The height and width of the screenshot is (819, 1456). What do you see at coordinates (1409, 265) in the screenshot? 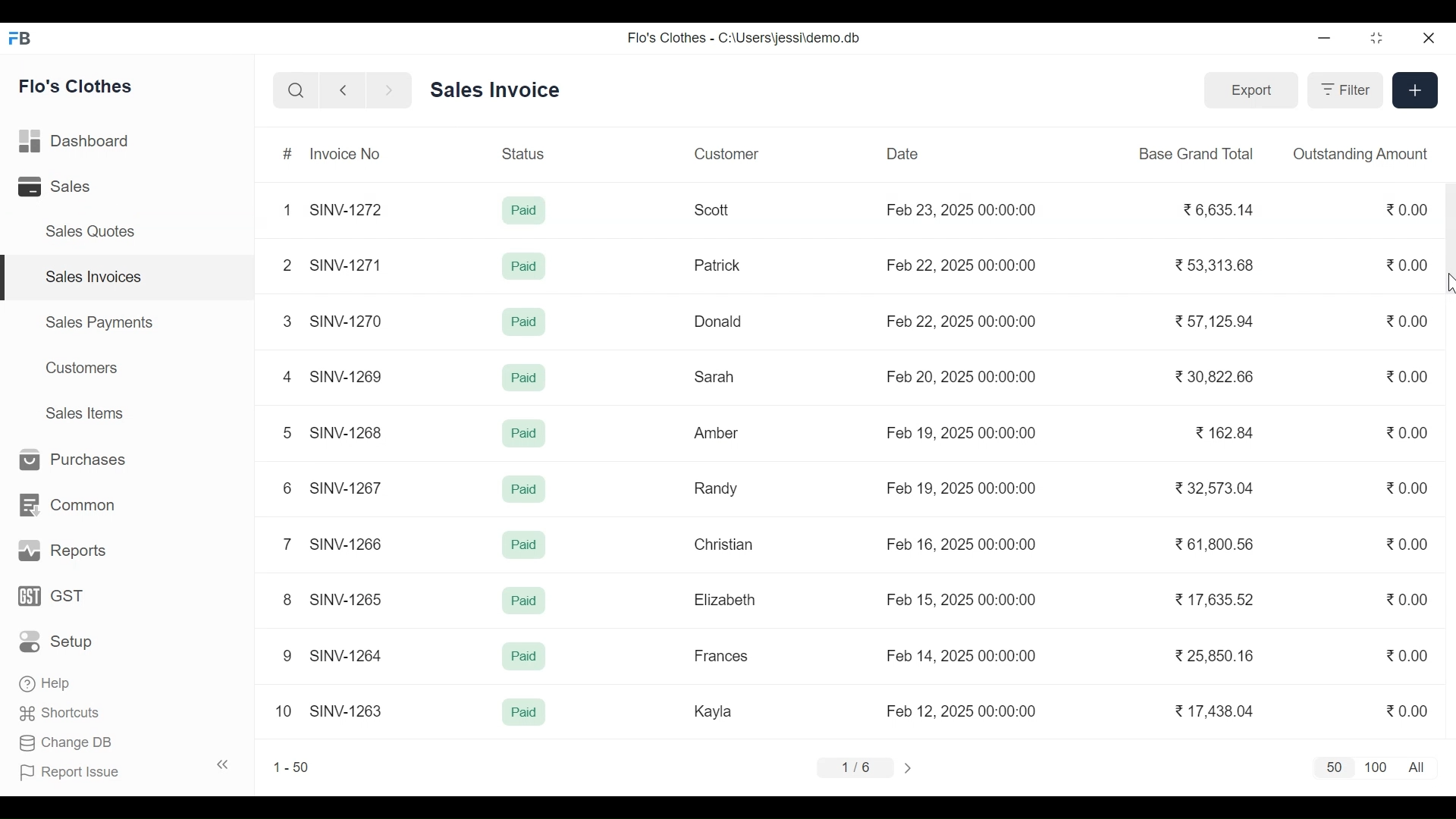
I see `0.00` at bounding box center [1409, 265].